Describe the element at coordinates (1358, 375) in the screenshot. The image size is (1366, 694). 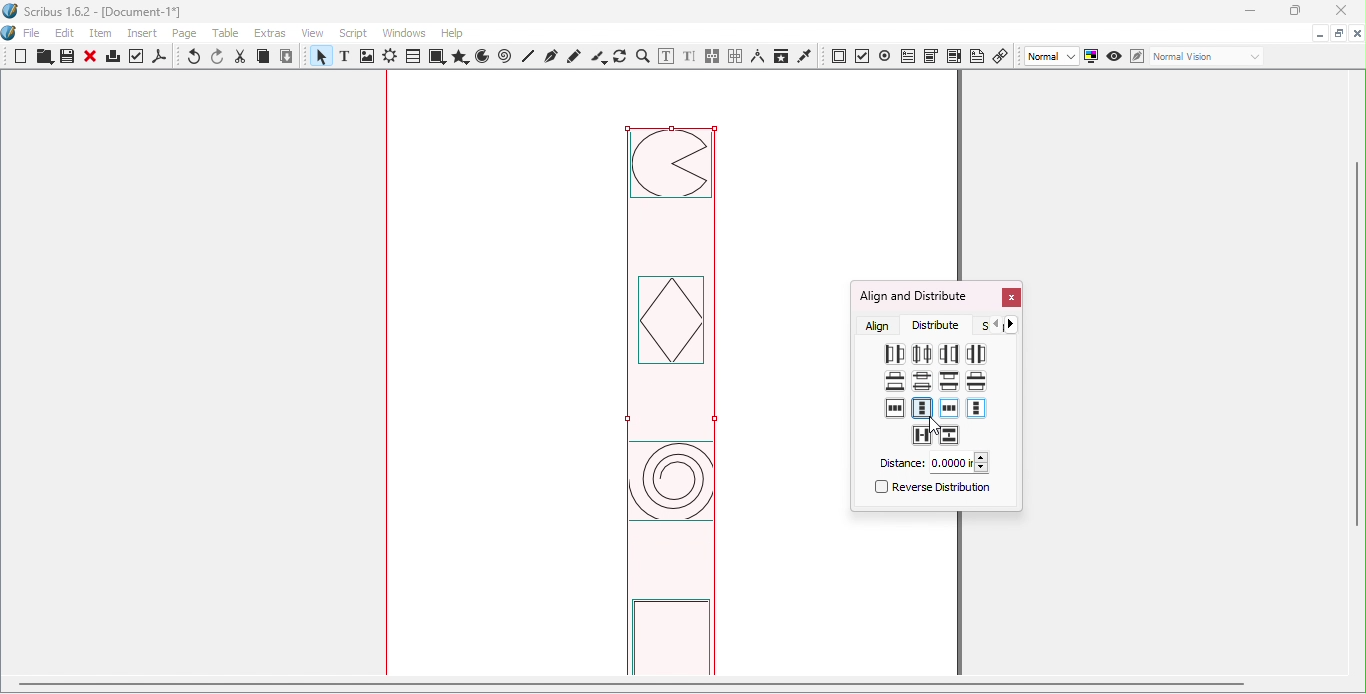
I see `Vertical scroll bar` at that location.